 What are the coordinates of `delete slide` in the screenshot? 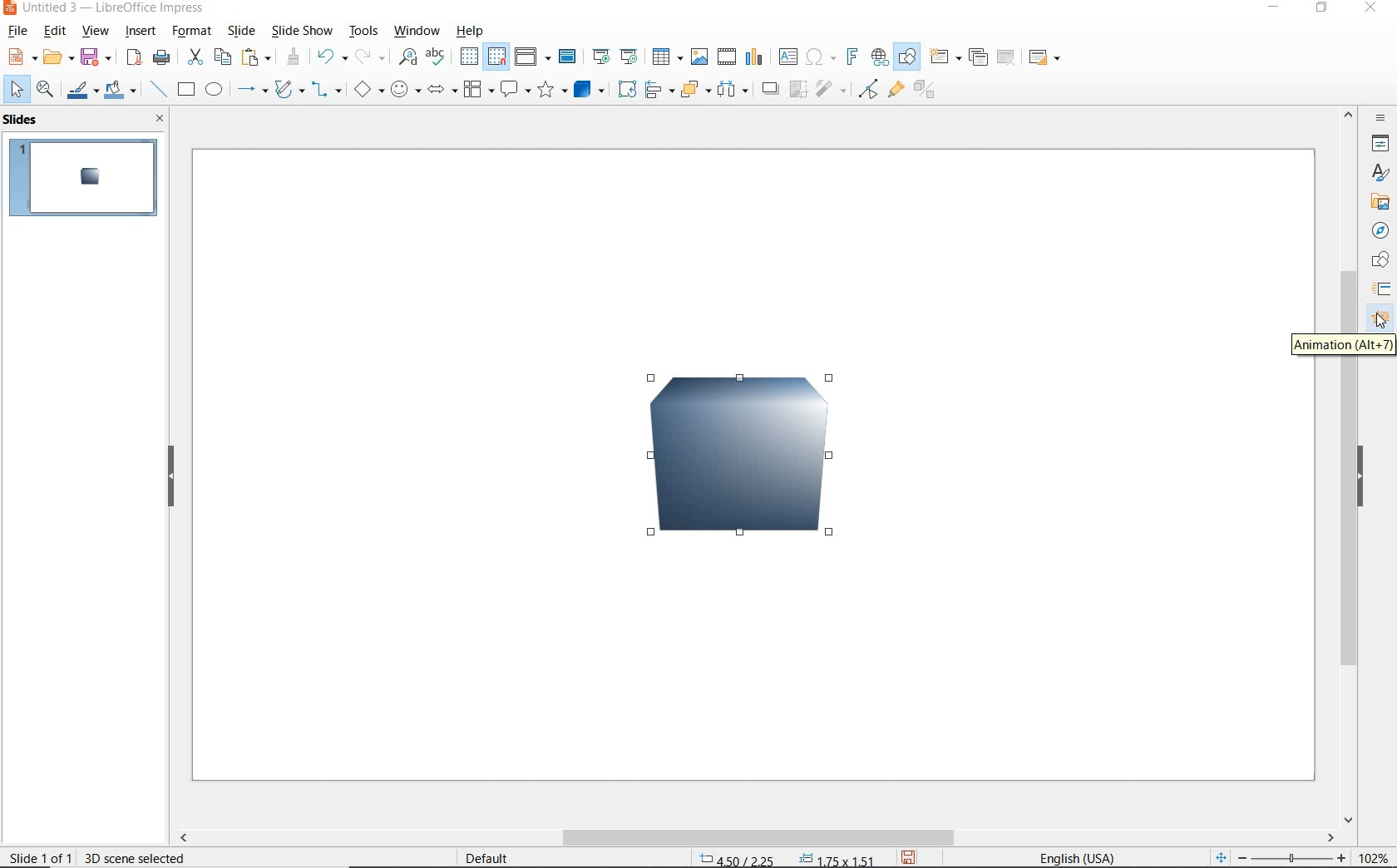 It's located at (1007, 57).